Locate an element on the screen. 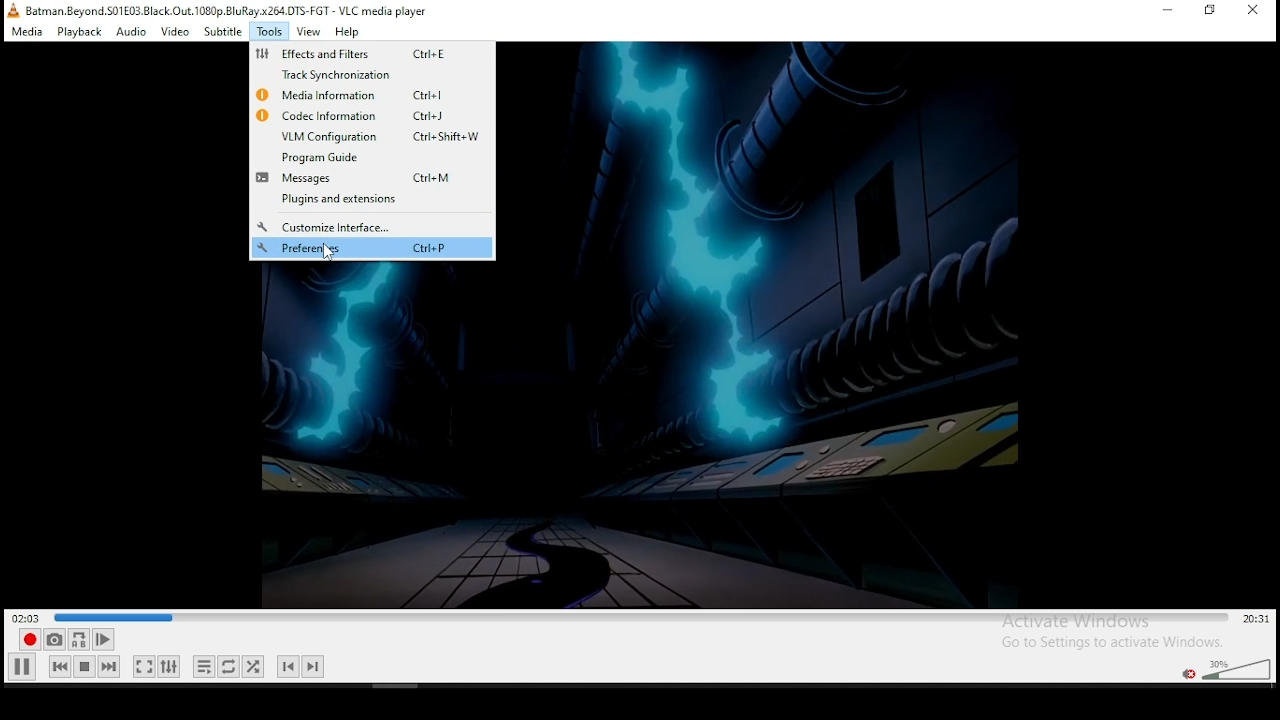 The image size is (1280, 720). audio is located at coordinates (131, 31).